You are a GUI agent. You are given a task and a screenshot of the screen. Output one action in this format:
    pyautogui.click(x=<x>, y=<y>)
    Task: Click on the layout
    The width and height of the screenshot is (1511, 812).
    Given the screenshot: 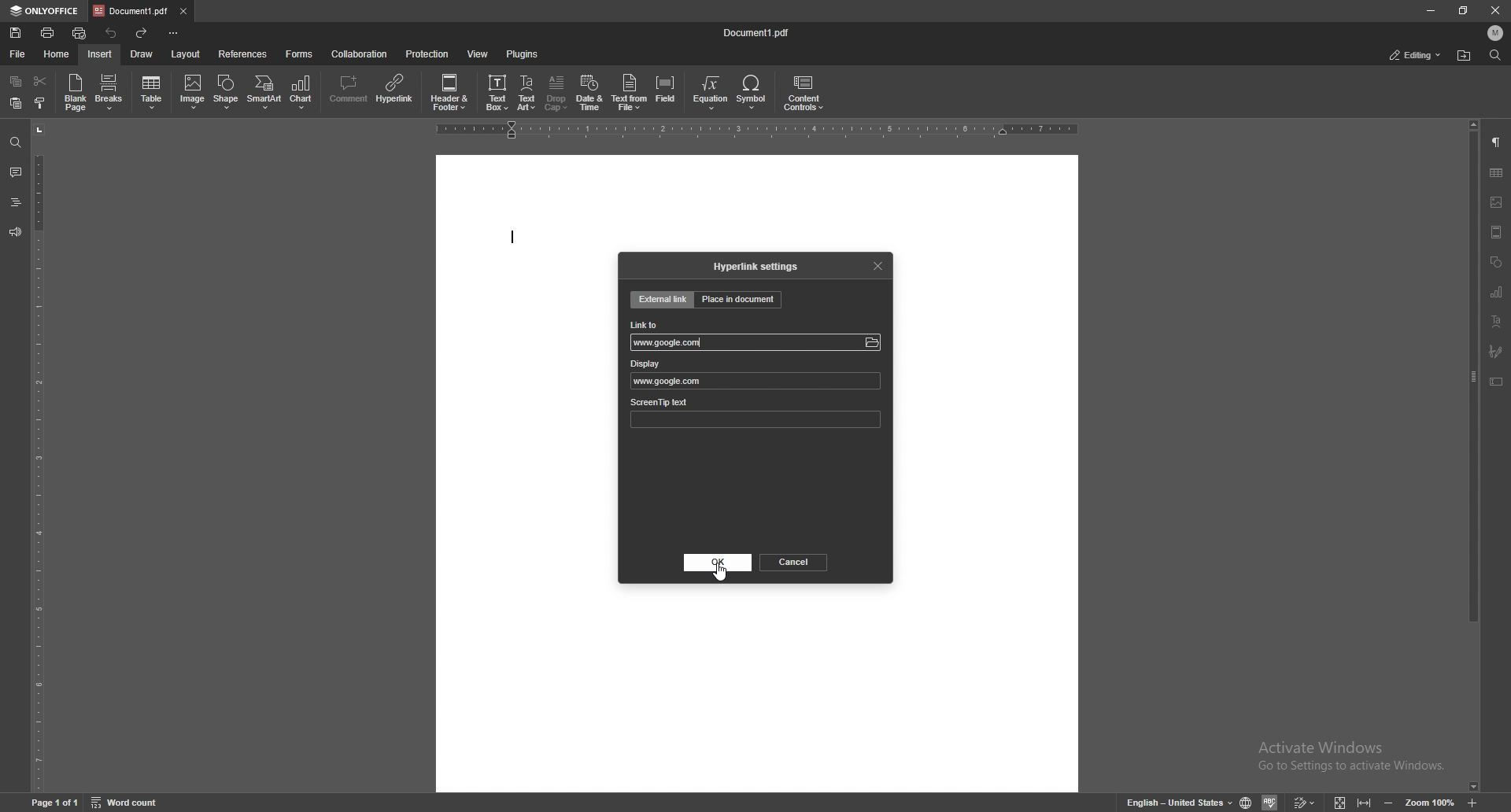 What is the action you would take?
    pyautogui.click(x=188, y=54)
    